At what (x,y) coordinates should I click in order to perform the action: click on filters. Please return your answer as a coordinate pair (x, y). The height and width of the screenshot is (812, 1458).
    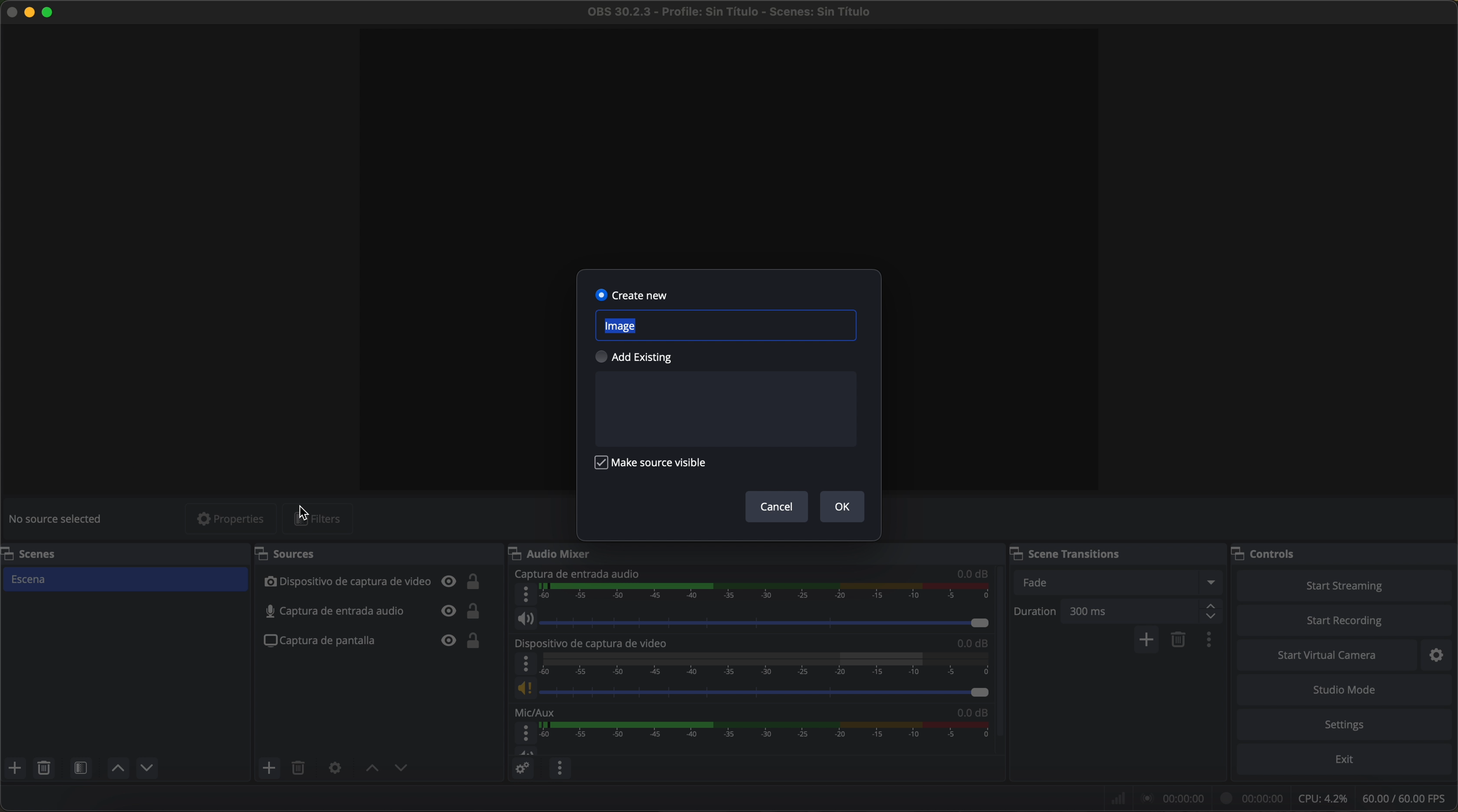
    Looking at the image, I should click on (317, 519).